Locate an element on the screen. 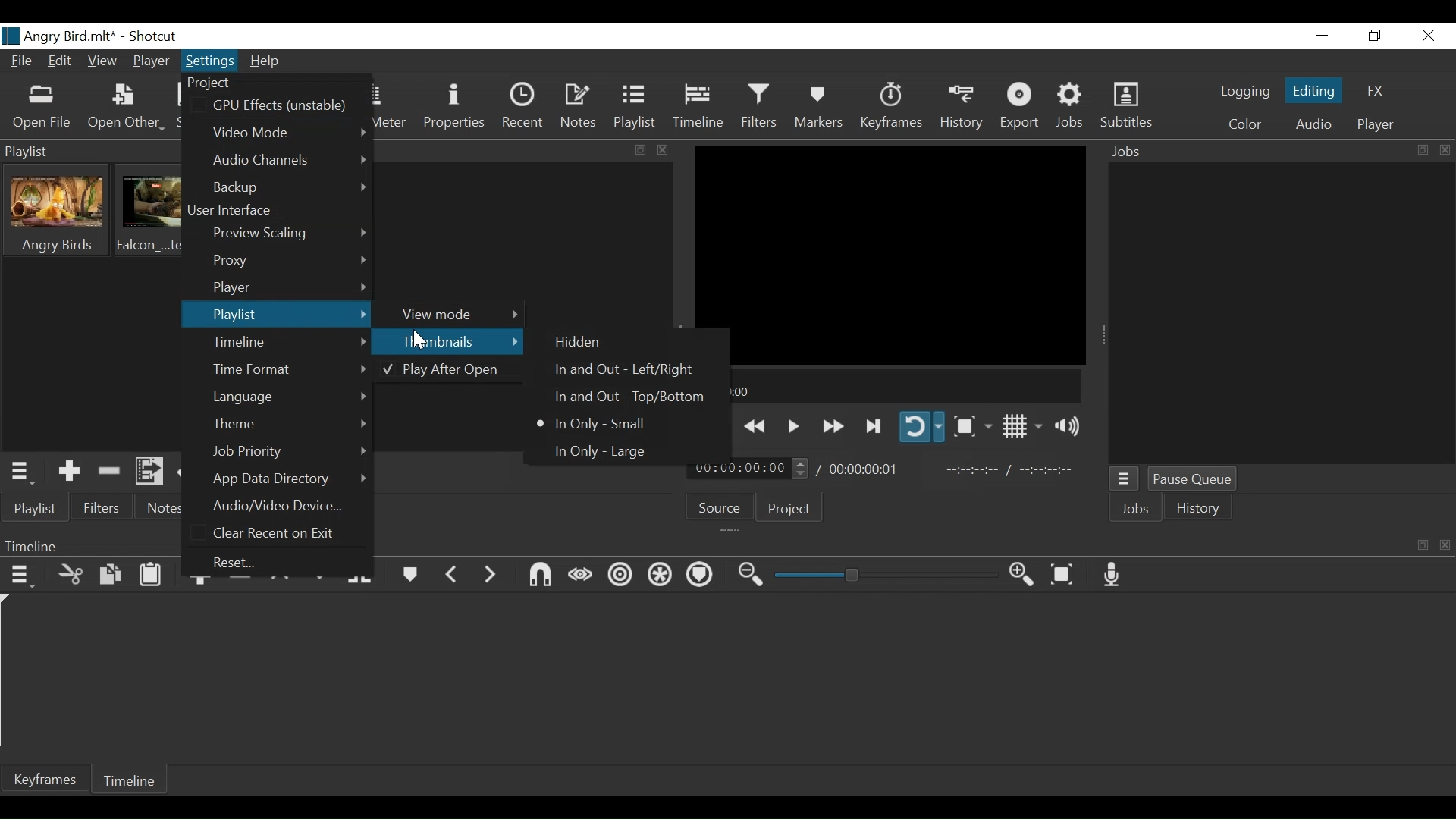 This screenshot has width=1456, height=819. Overwrite is located at coordinates (321, 576).